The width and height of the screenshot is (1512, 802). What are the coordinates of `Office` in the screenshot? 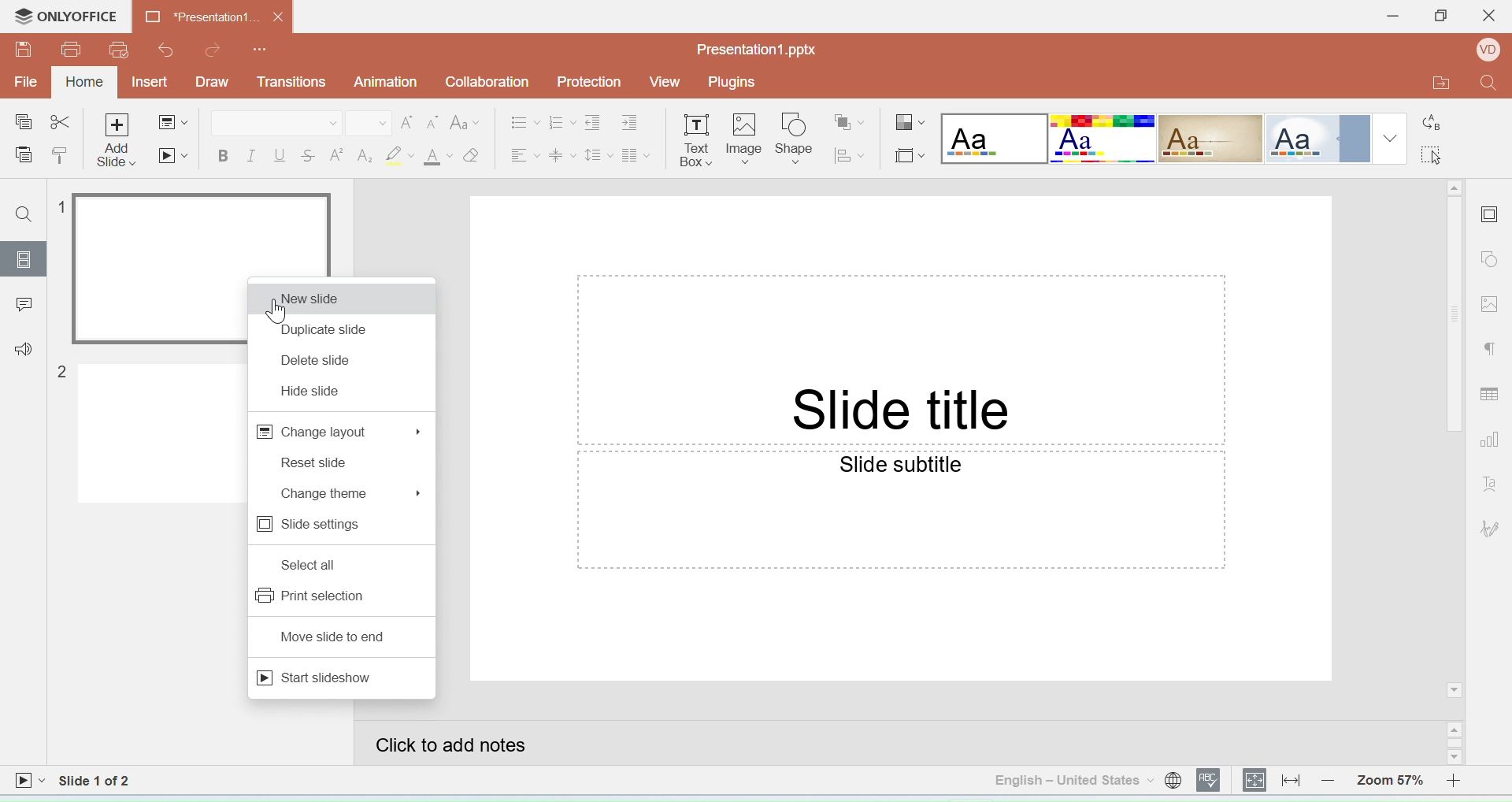 It's located at (1316, 139).